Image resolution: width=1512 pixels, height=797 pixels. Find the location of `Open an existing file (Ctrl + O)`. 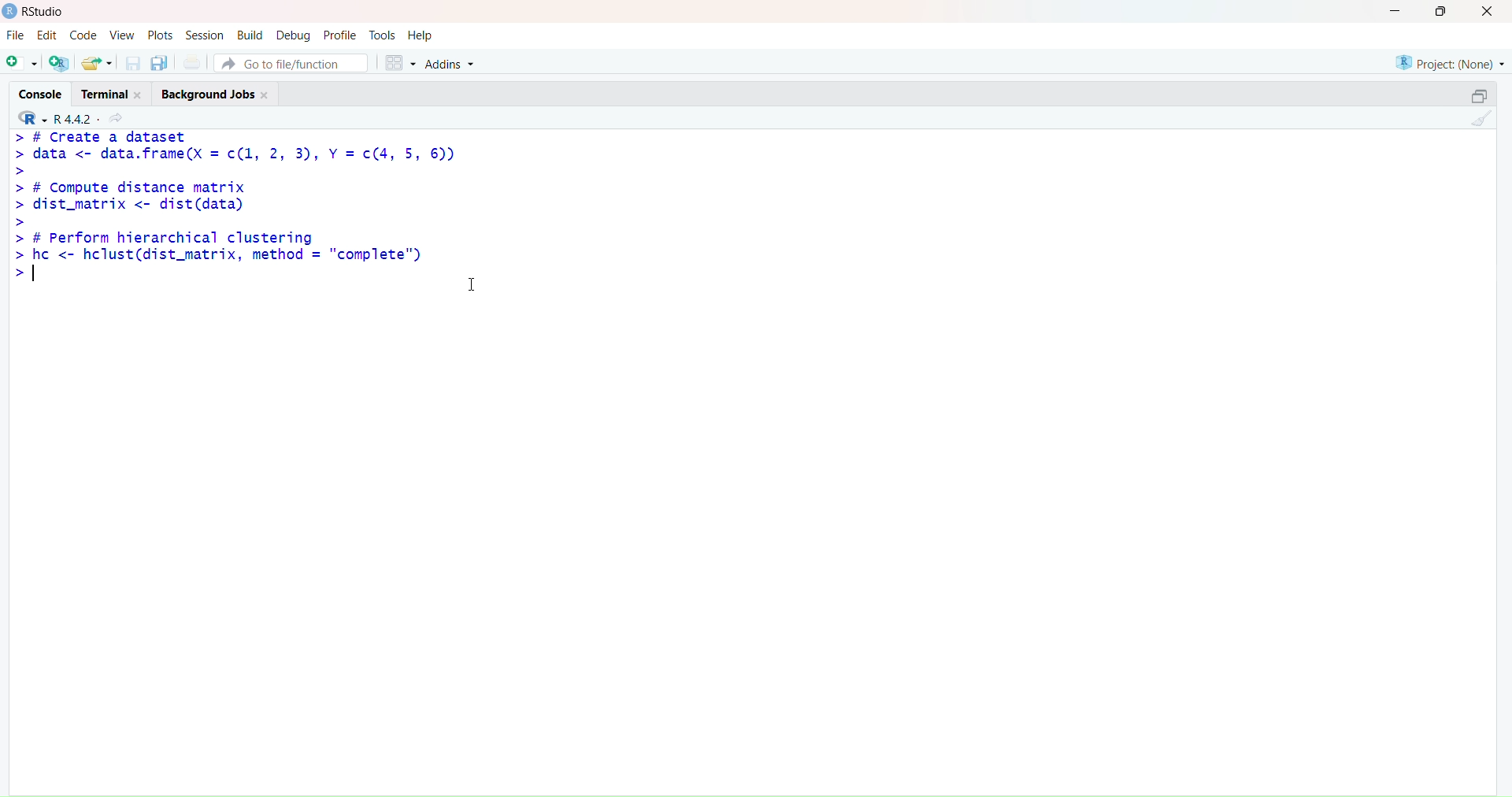

Open an existing file (Ctrl + O) is located at coordinates (97, 61).